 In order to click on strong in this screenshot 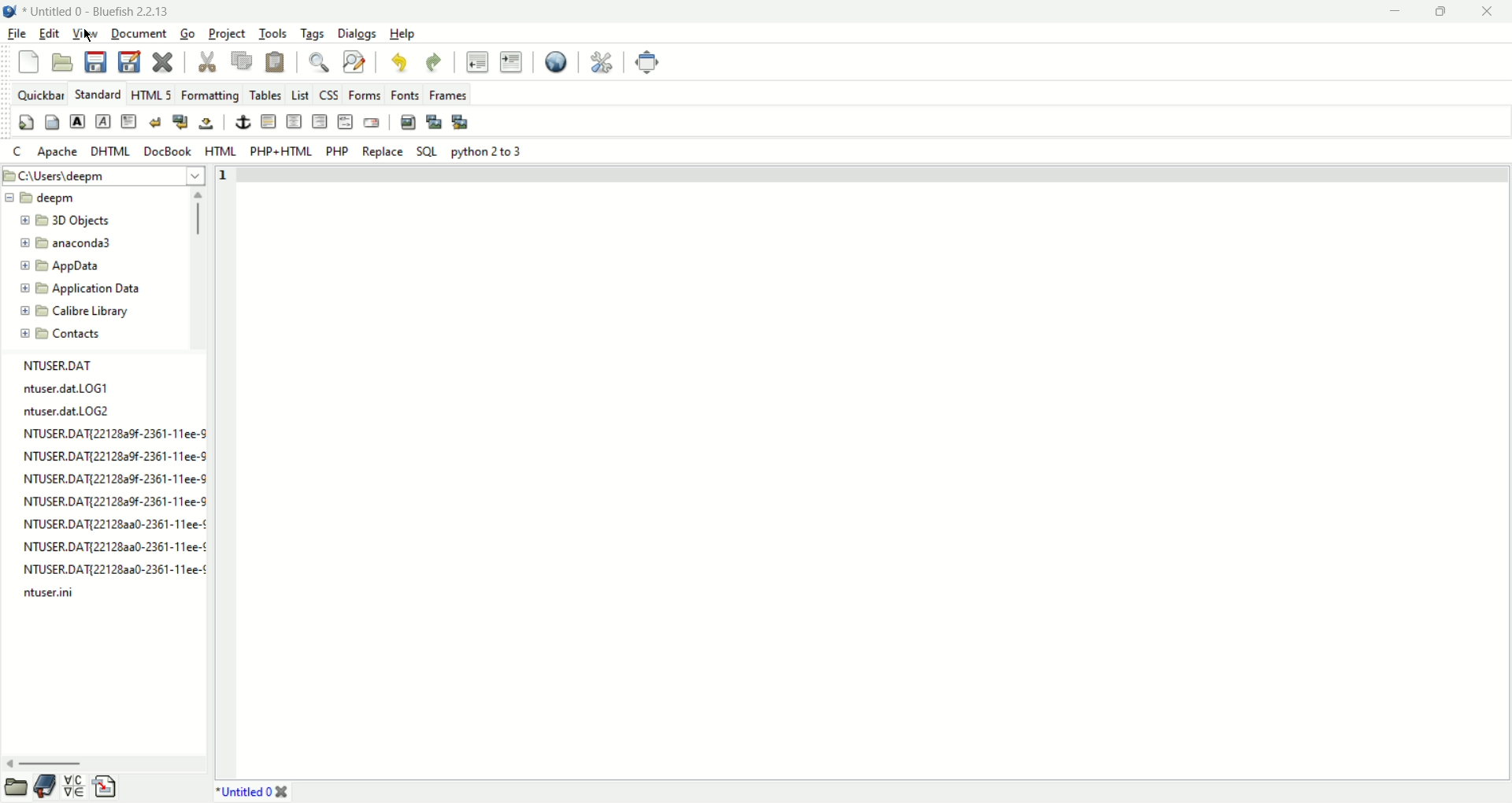, I will do `click(77, 120)`.